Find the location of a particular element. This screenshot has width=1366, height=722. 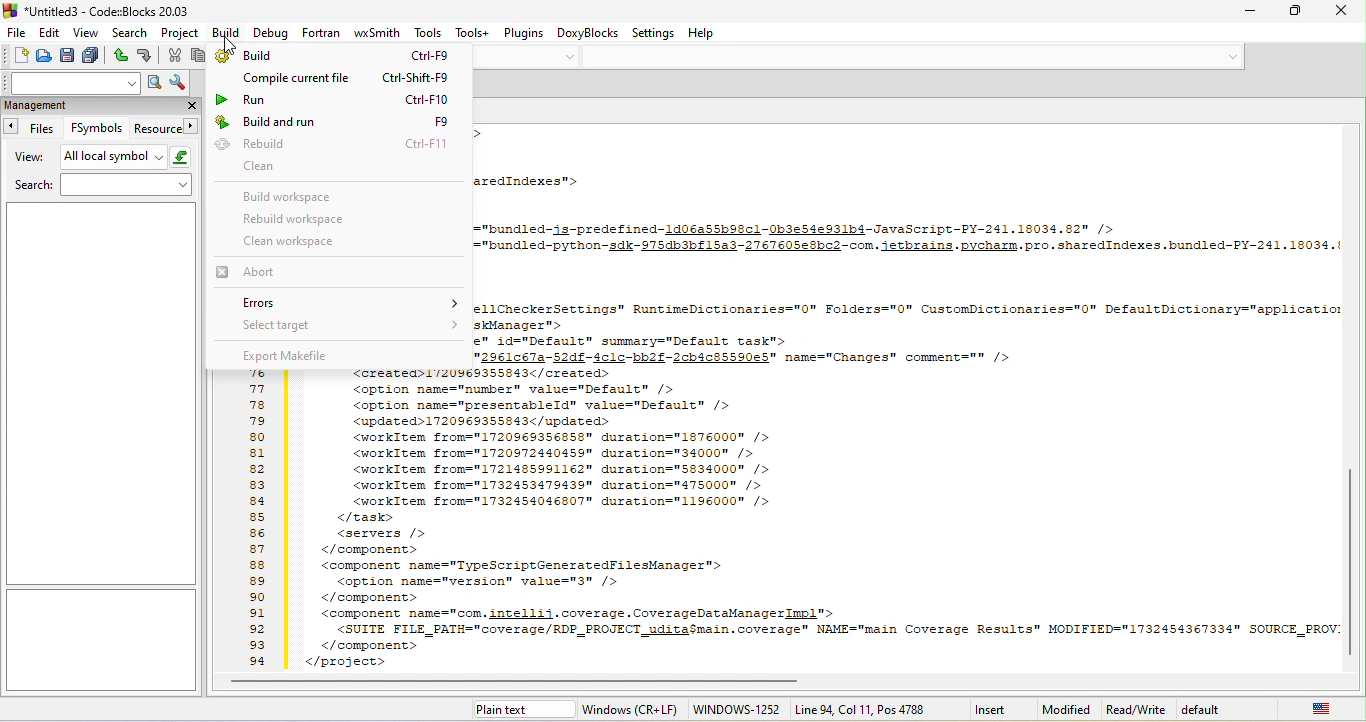

scrollbar is located at coordinates (513, 682).